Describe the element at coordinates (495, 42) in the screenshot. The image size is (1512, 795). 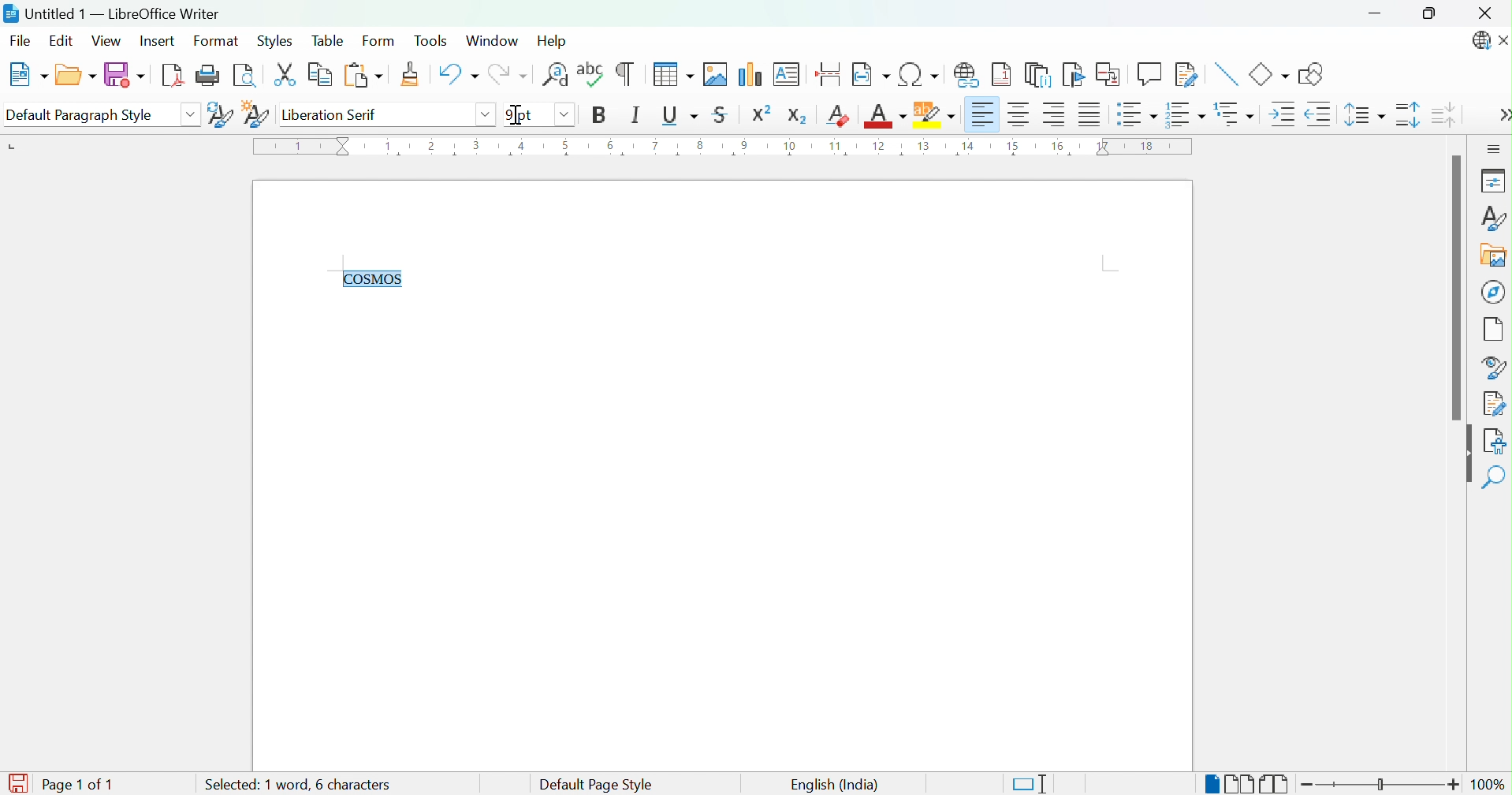
I see `Window` at that location.